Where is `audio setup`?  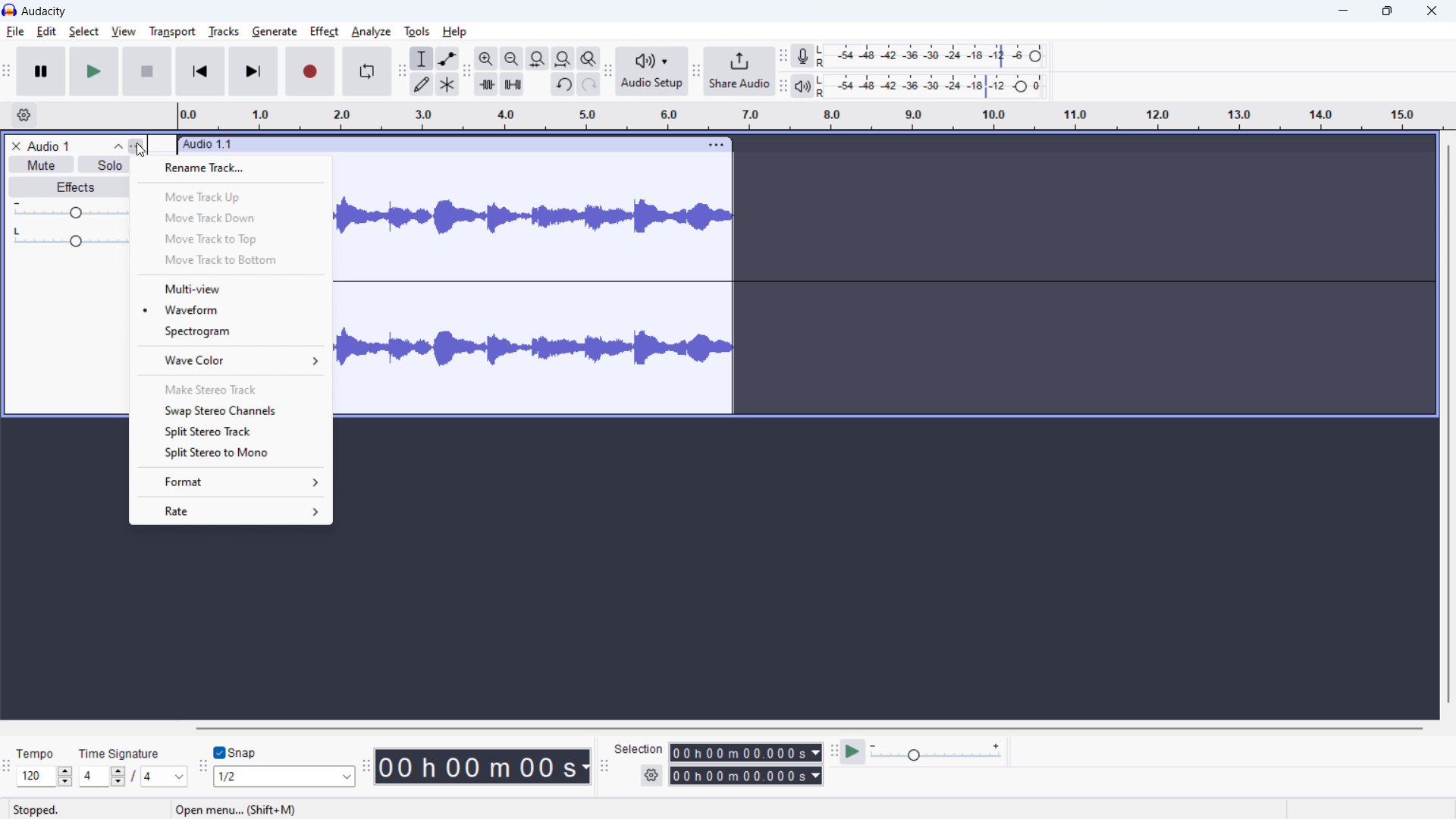
audio setup is located at coordinates (651, 72).